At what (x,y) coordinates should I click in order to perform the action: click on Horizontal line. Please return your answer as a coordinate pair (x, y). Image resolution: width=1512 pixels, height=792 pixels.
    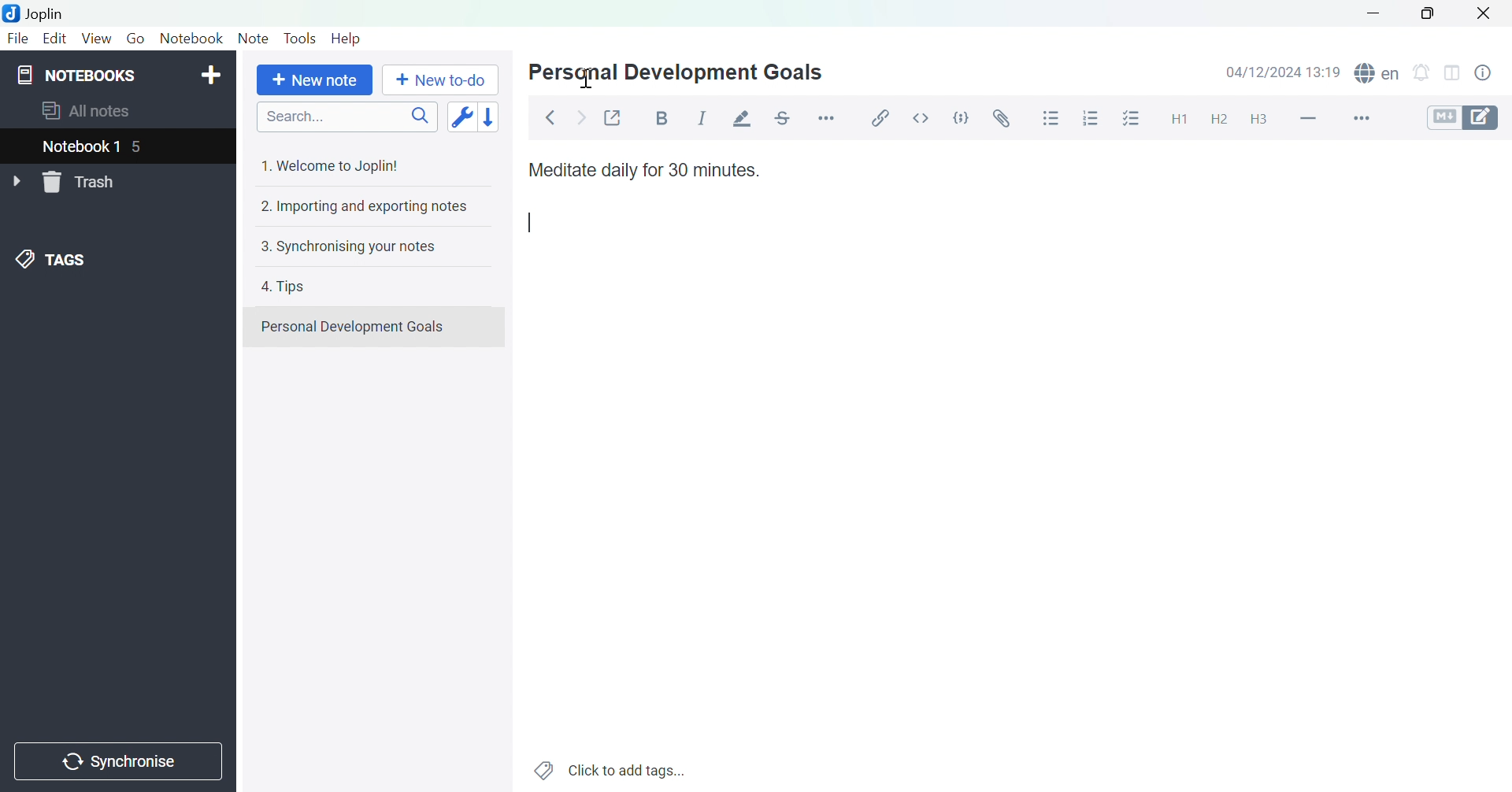
    Looking at the image, I should click on (1308, 118).